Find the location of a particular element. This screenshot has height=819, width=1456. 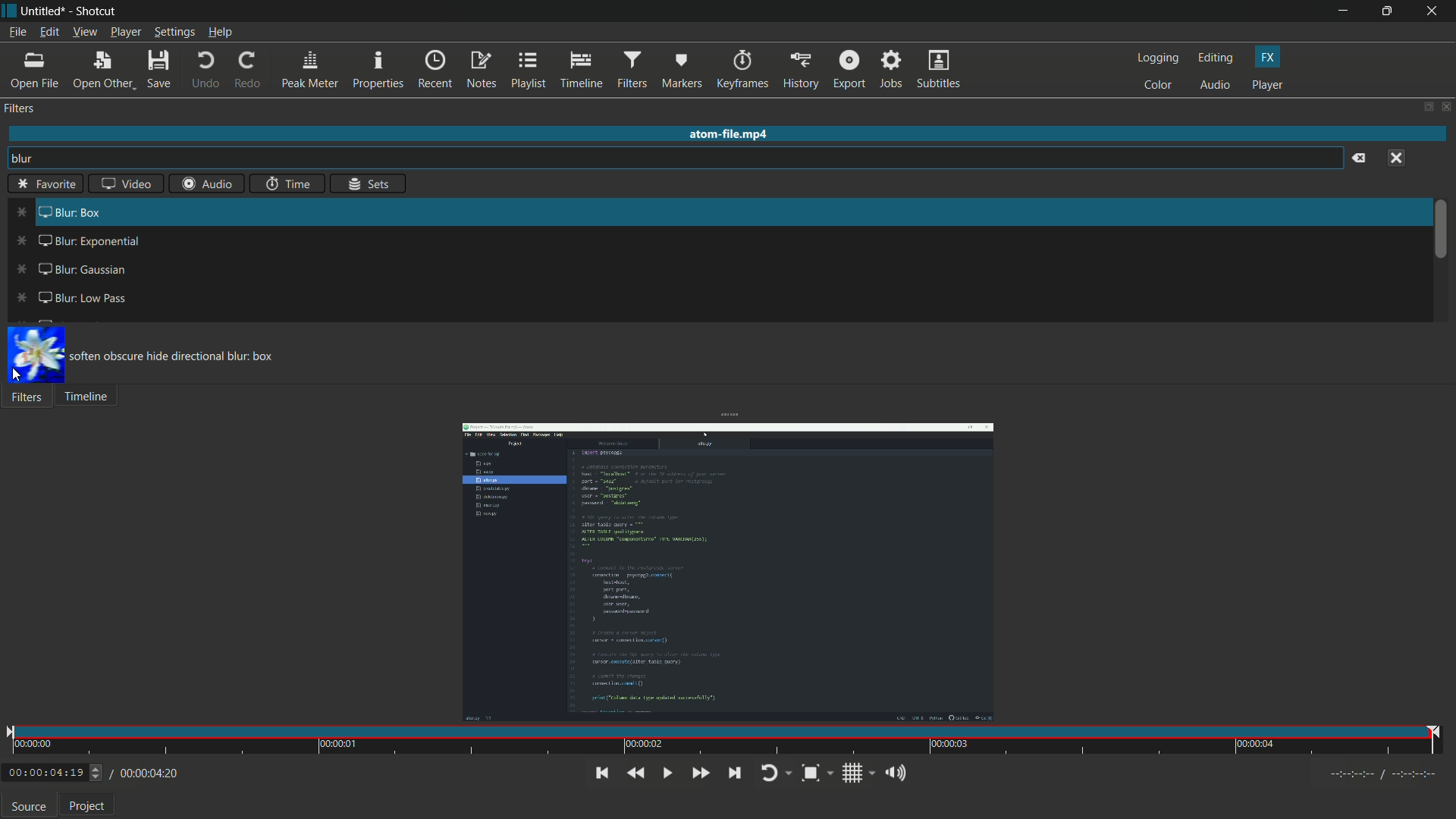

settings menu is located at coordinates (175, 33).